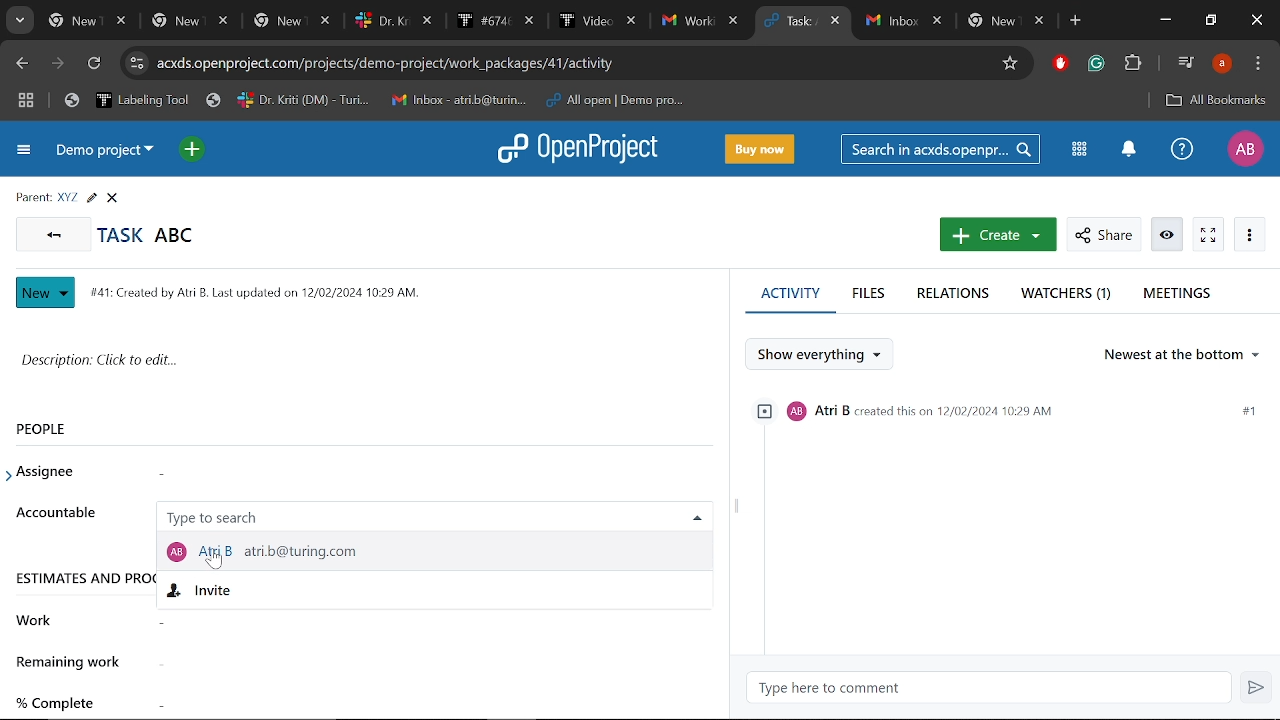 This screenshot has width=1280, height=720. What do you see at coordinates (93, 64) in the screenshot?
I see `Refresh` at bounding box center [93, 64].